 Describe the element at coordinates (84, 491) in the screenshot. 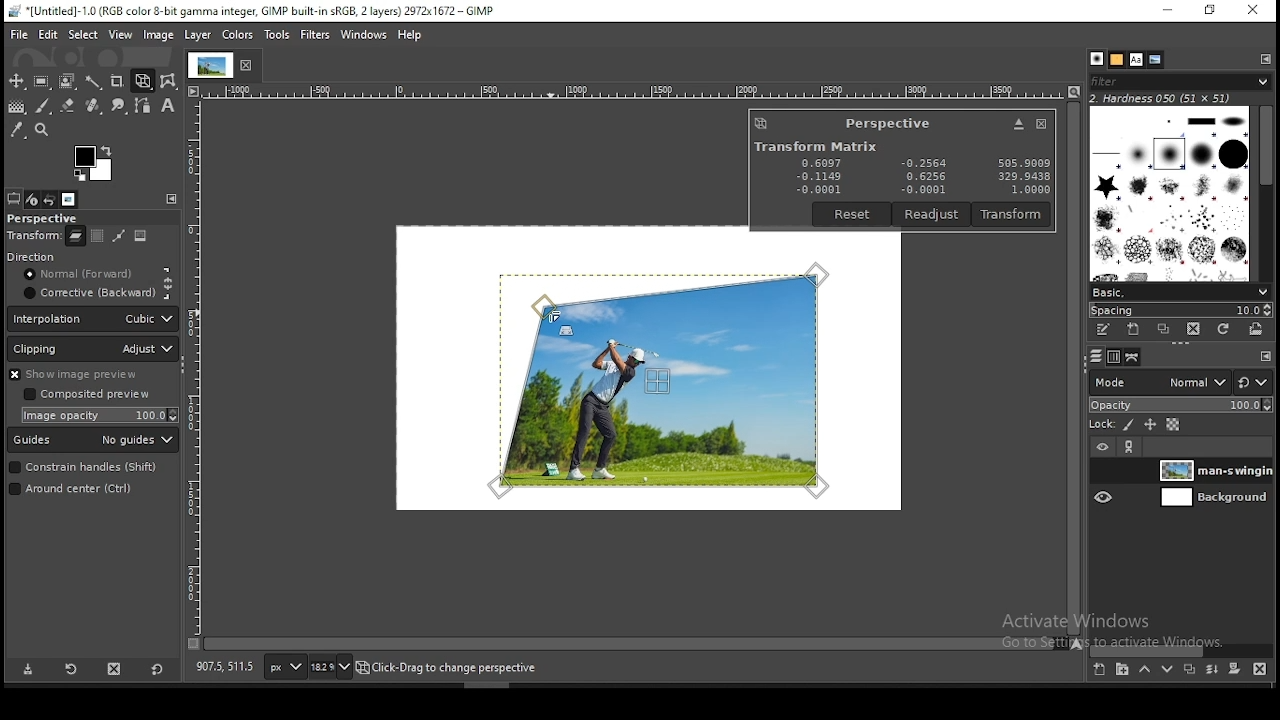

I see `around the center` at that location.